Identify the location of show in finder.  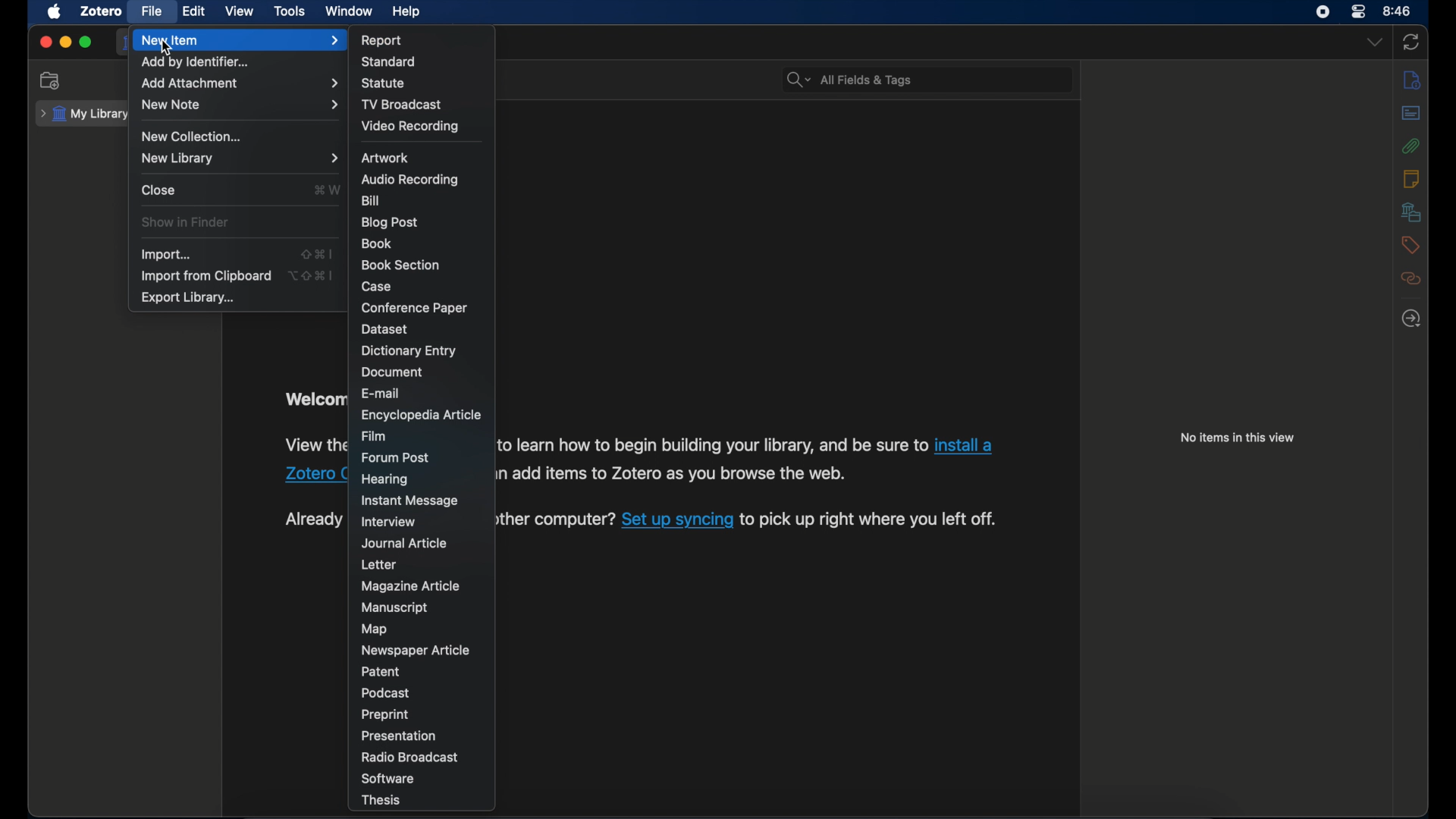
(187, 222).